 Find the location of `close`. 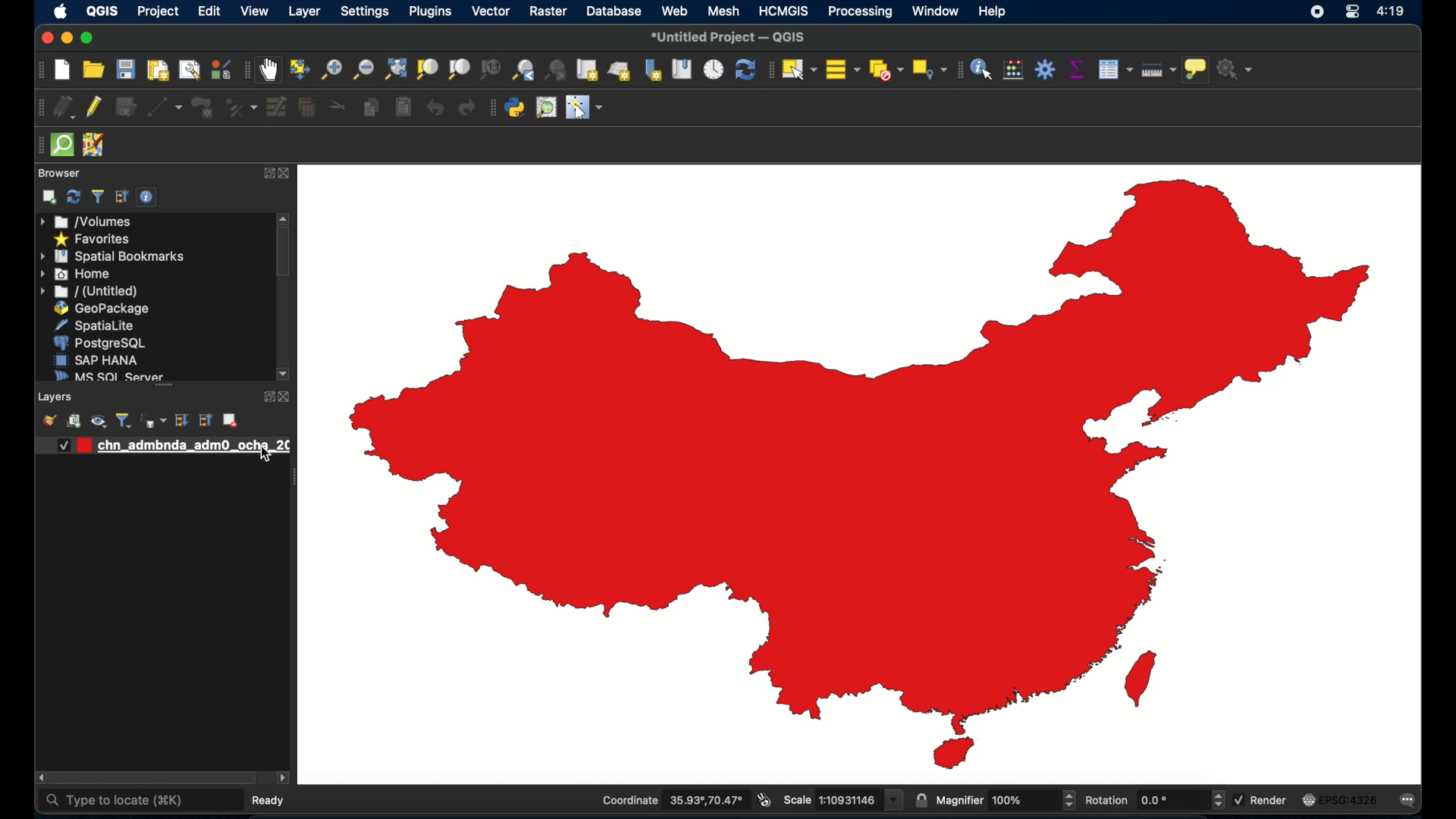

close is located at coordinates (287, 397).